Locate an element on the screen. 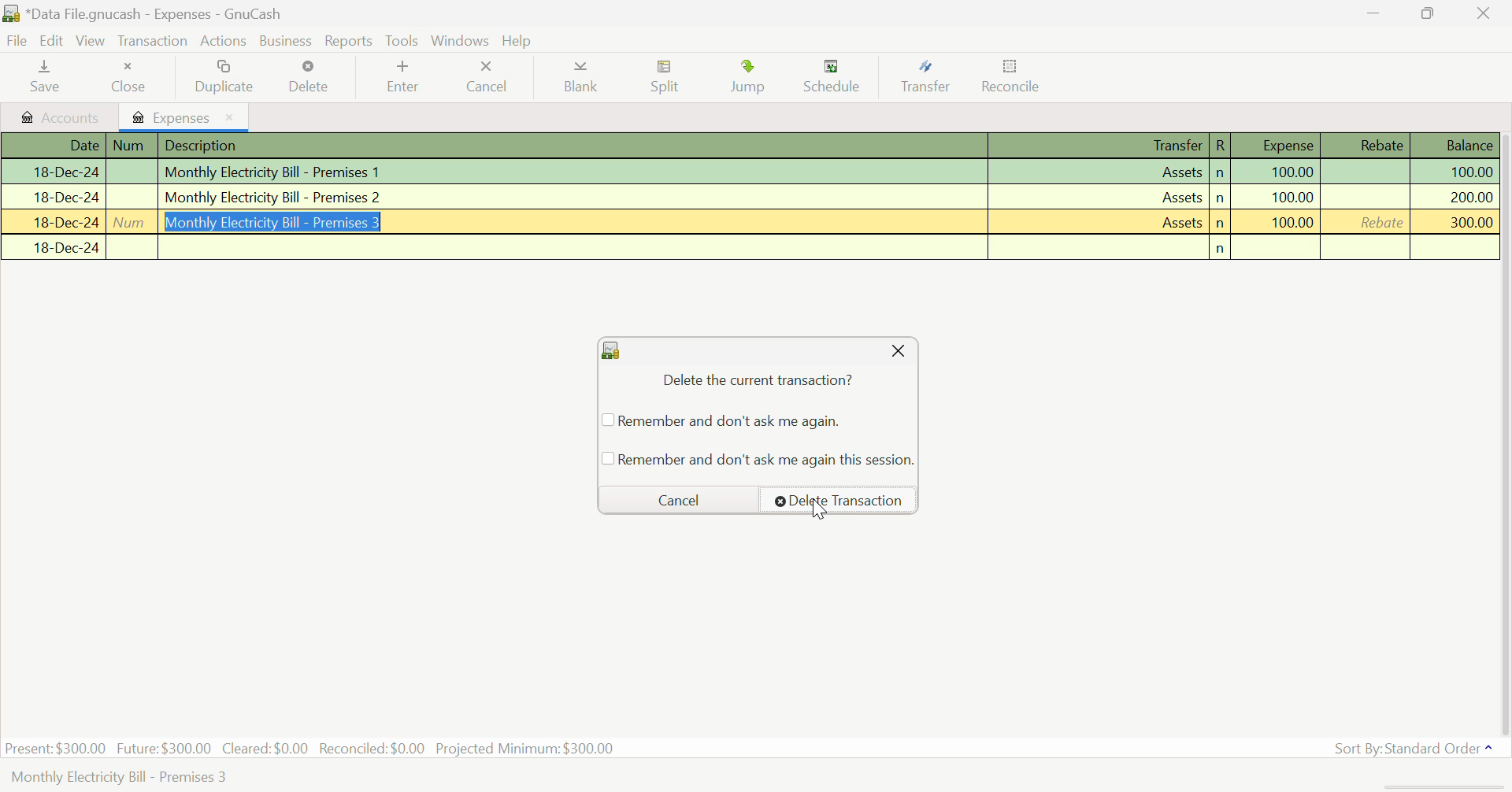 The width and height of the screenshot is (1512, 792). Monthly Electricity Bill - Premises 3 is located at coordinates (752, 223).